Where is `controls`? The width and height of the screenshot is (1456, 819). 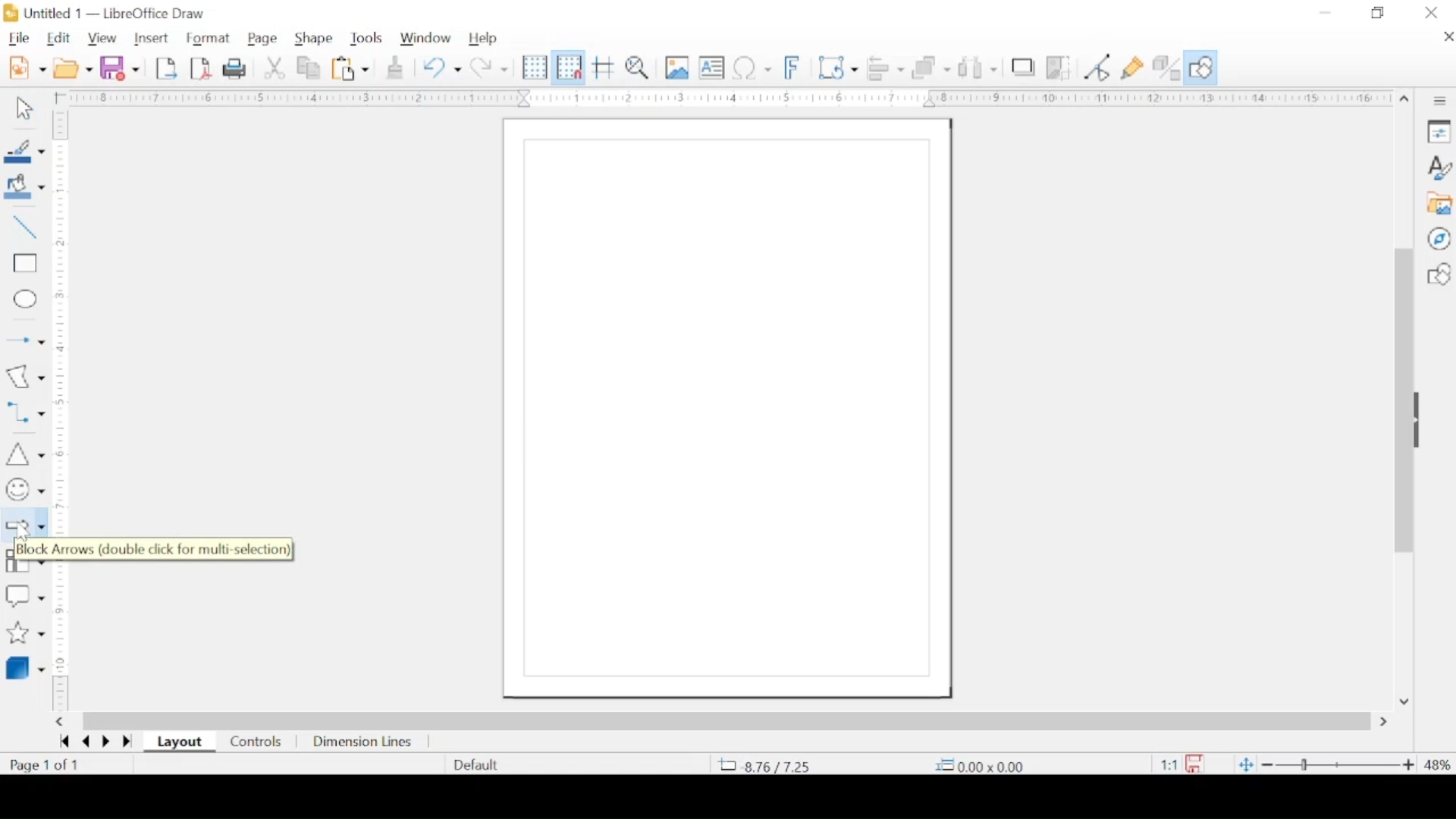 controls is located at coordinates (257, 742).